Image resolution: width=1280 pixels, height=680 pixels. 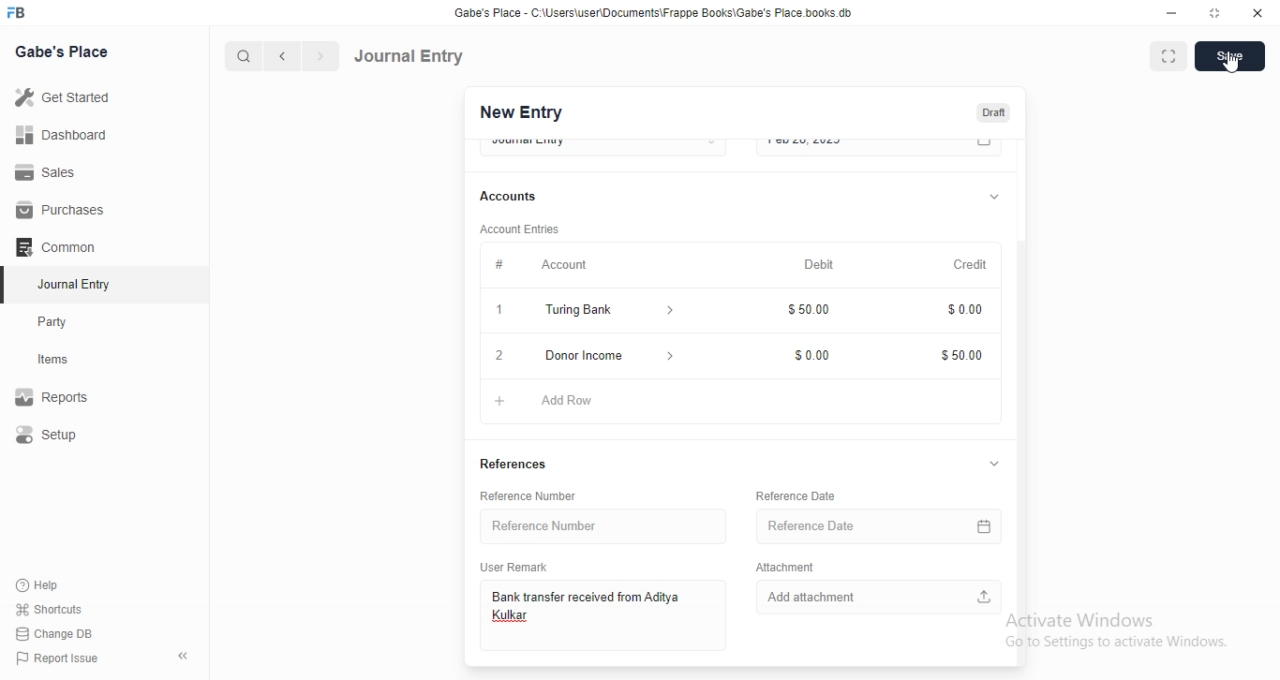 I want to click on Common, so click(x=61, y=247).